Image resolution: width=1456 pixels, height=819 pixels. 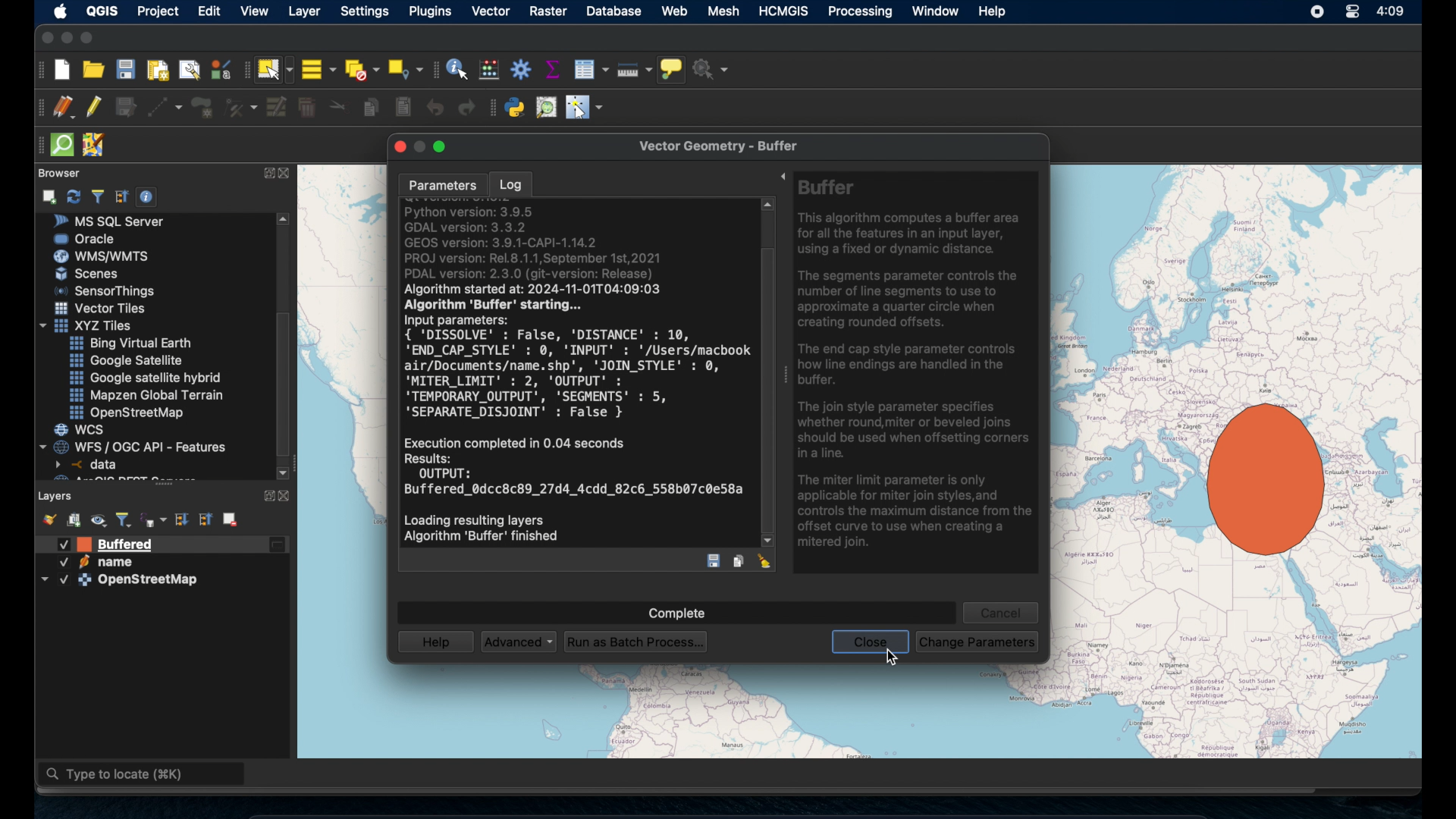 I want to click on measure line, so click(x=633, y=71).